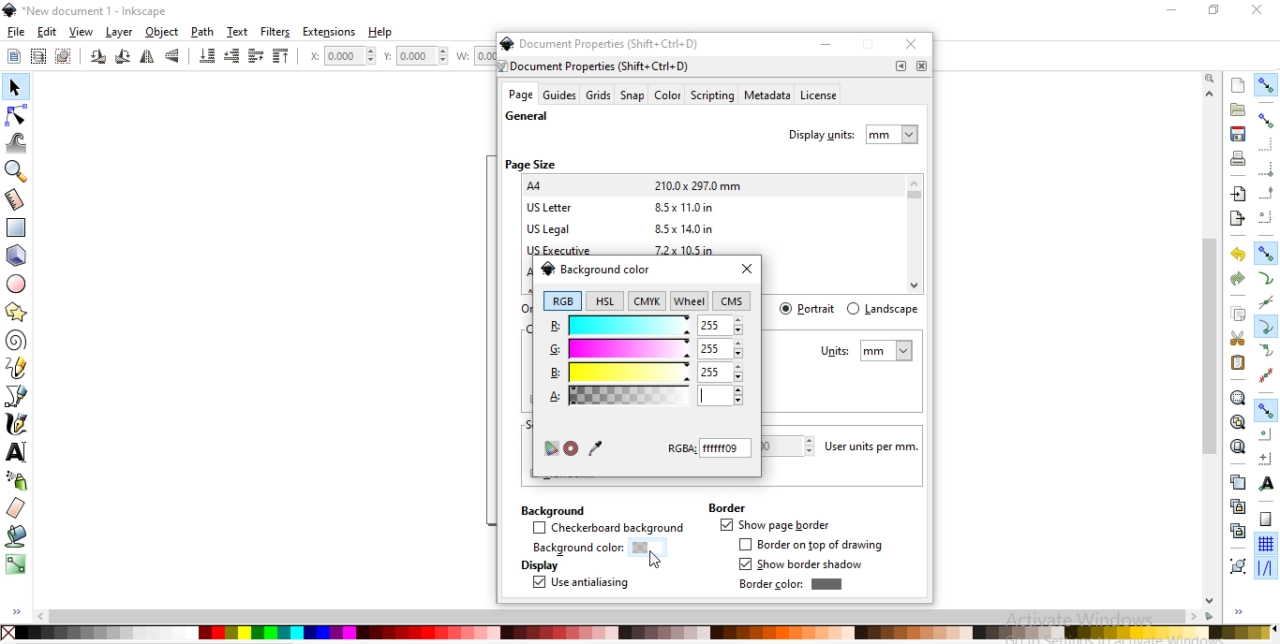 The width and height of the screenshot is (1280, 644). What do you see at coordinates (766, 96) in the screenshot?
I see `metadata` at bounding box center [766, 96].